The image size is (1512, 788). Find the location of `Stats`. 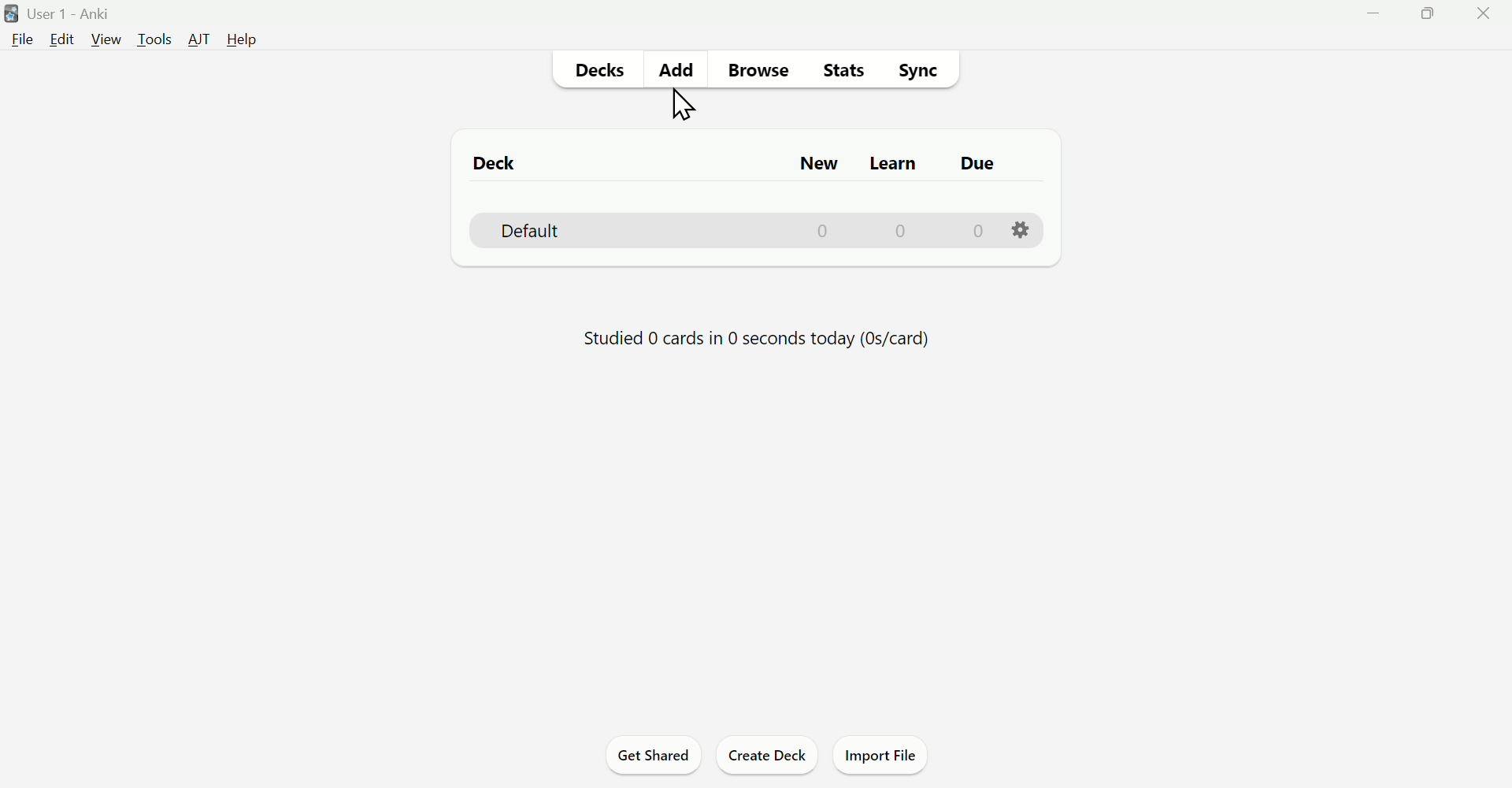

Stats is located at coordinates (843, 70).